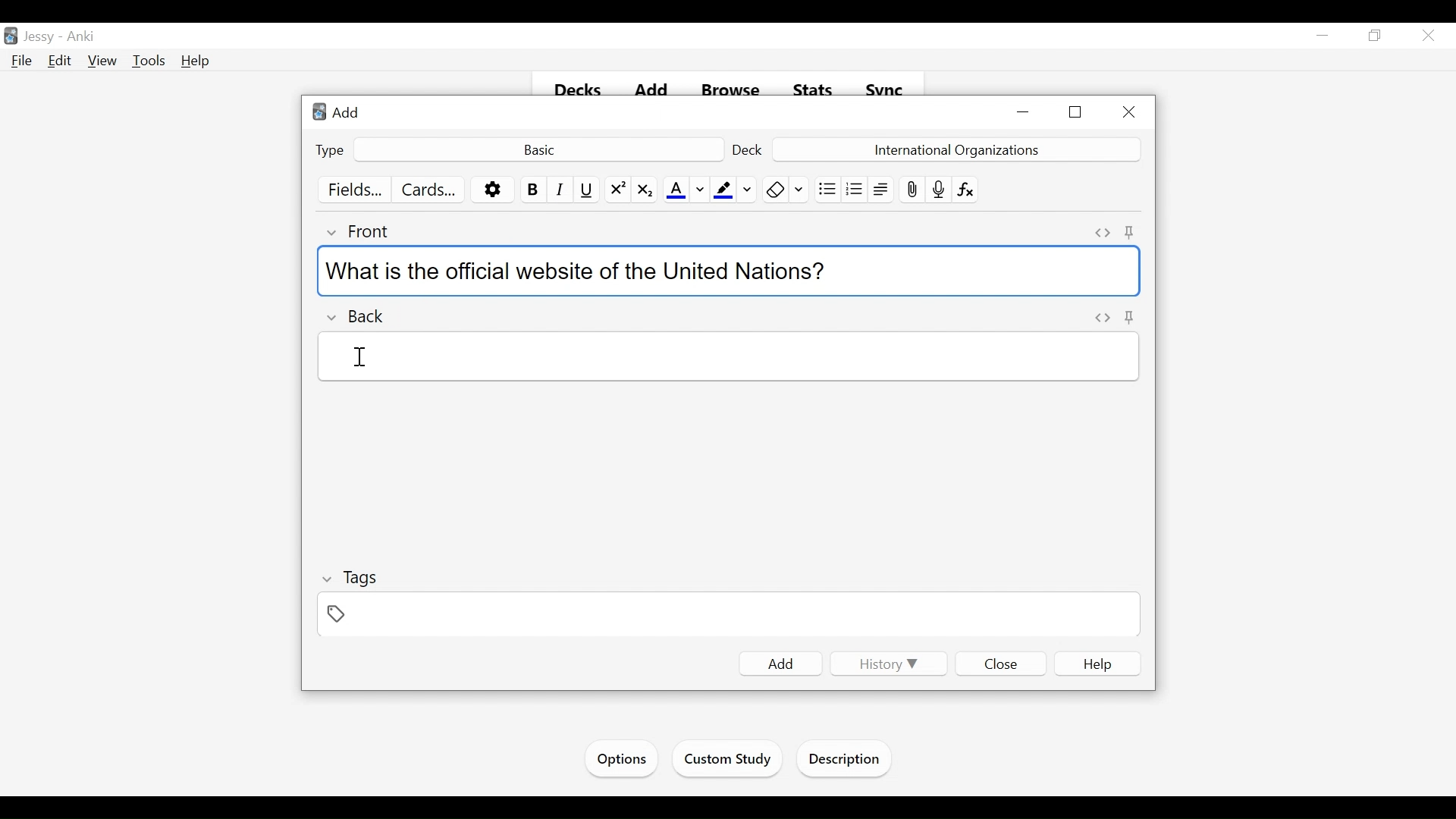 This screenshot has height=819, width=1456. Describe the element at coordinates (197, 62) in the screenshot. I see `Help` at that location.